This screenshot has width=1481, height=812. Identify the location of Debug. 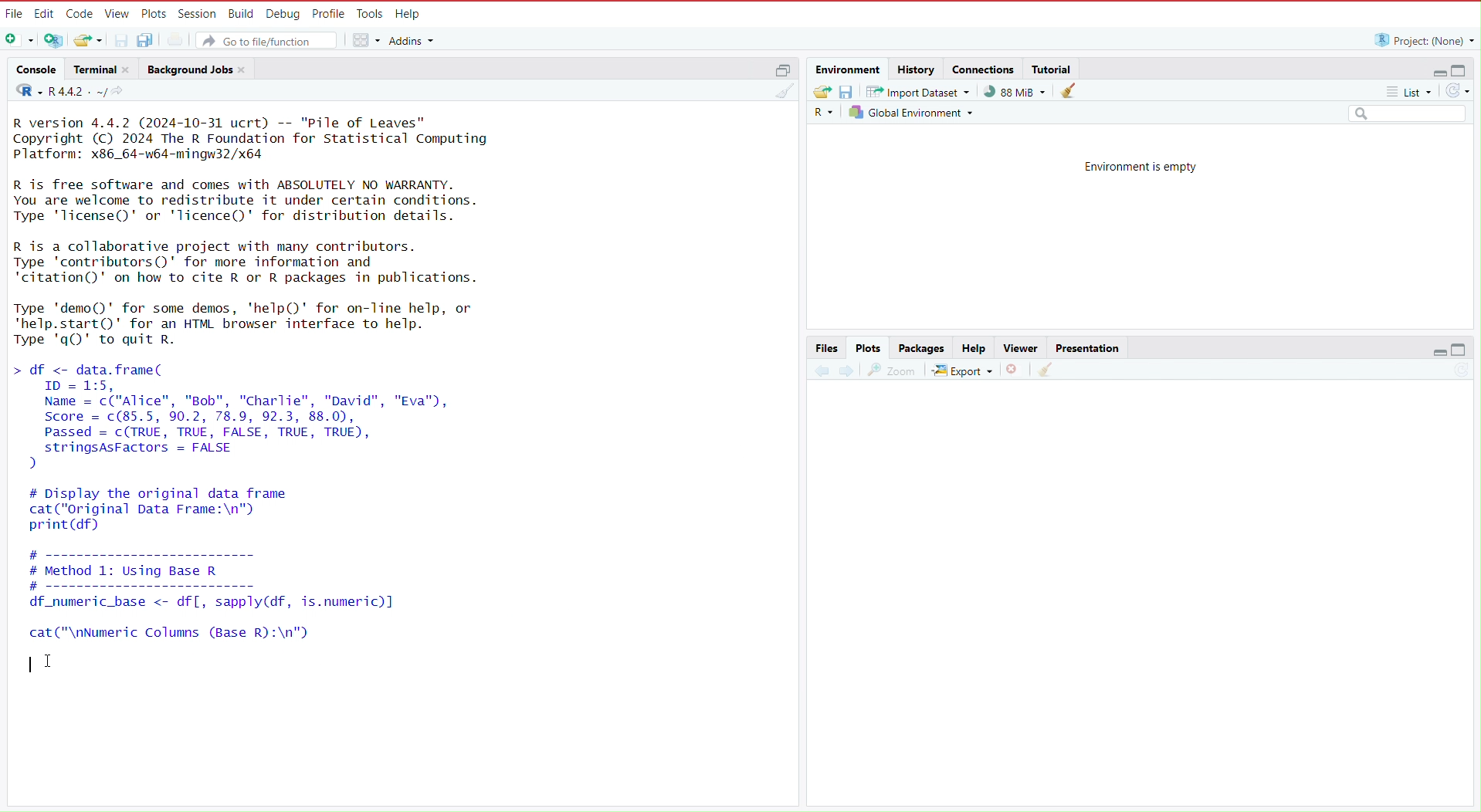
(283, 12).